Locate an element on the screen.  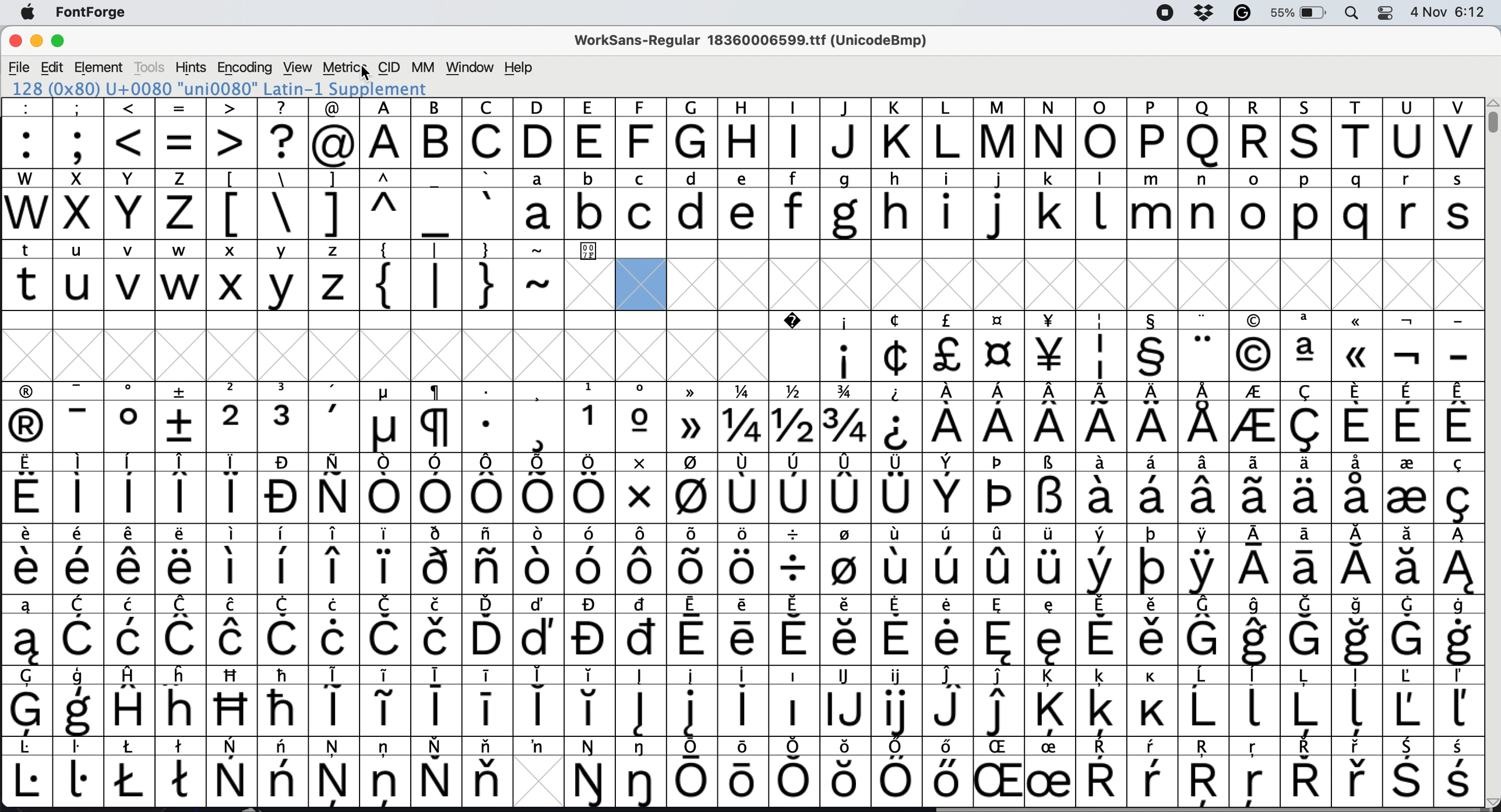
Hints is located at coordinates (189, 68).